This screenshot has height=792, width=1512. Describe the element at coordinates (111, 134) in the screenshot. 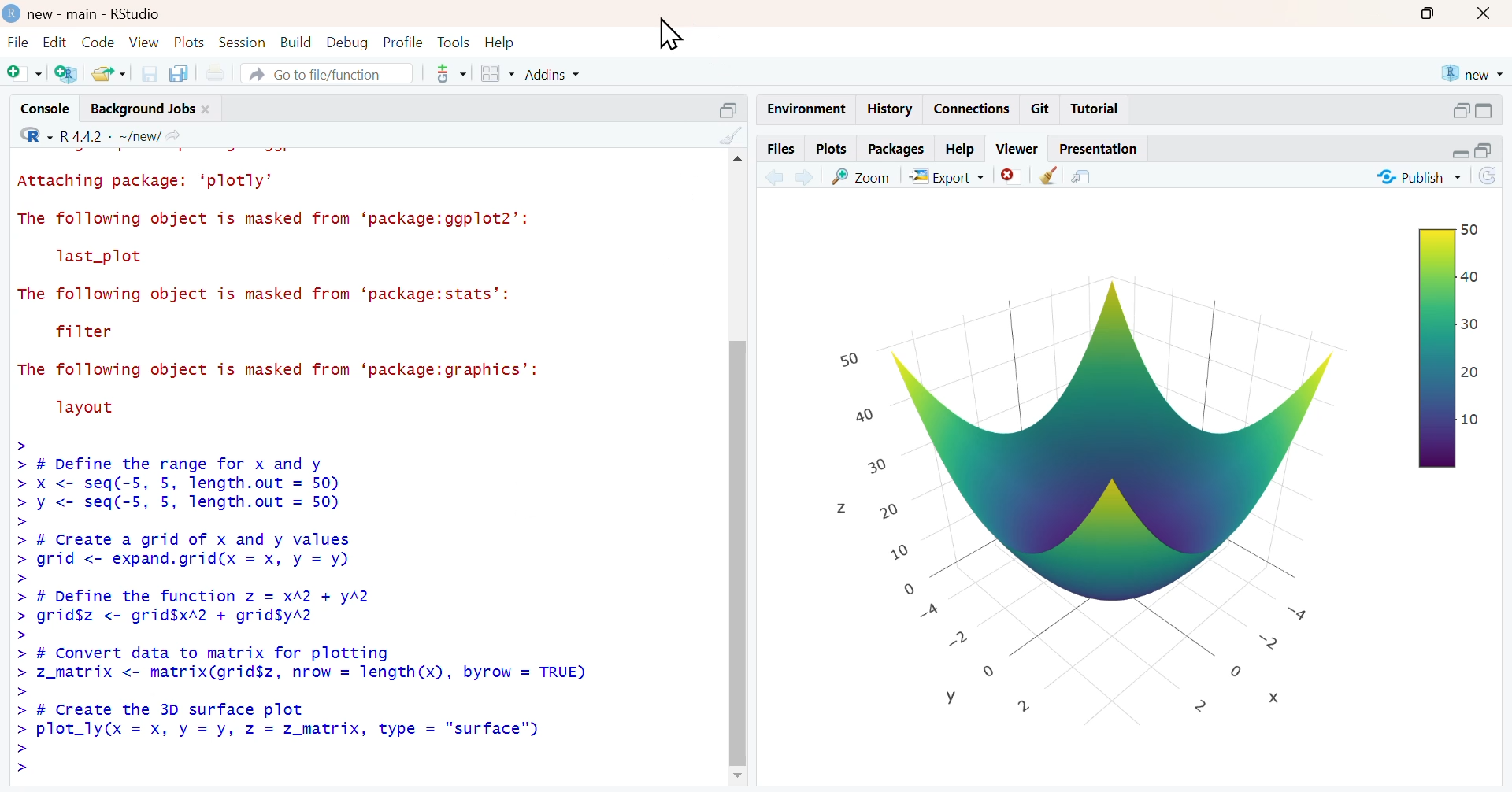

I see `R 4.4.2 . ~/new/` at that location.